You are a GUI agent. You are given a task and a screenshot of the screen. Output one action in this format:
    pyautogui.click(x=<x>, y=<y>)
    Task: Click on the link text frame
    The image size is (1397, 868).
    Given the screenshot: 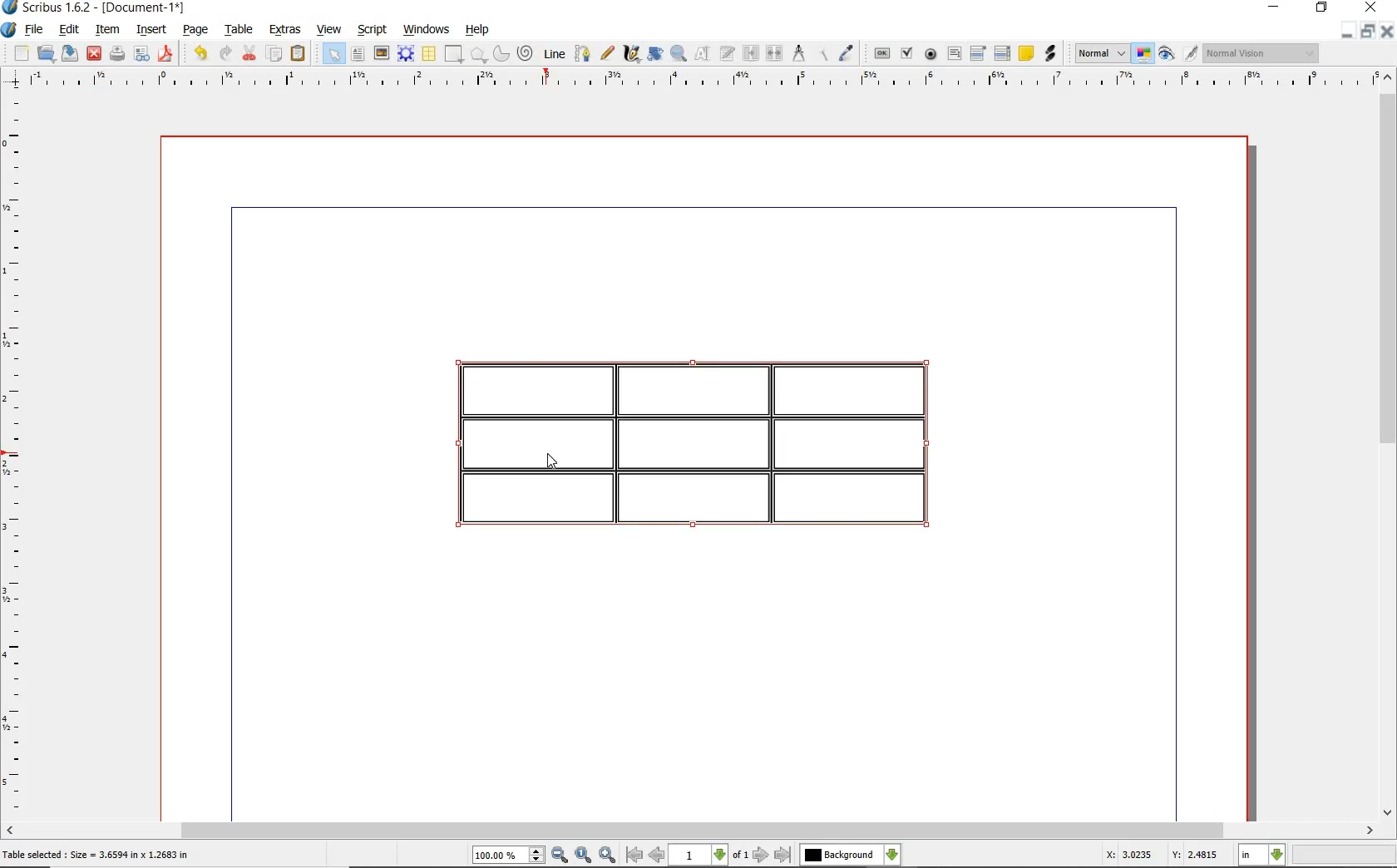 What is the action you would take?
    pyautogui.click(x=750, y=53)
    